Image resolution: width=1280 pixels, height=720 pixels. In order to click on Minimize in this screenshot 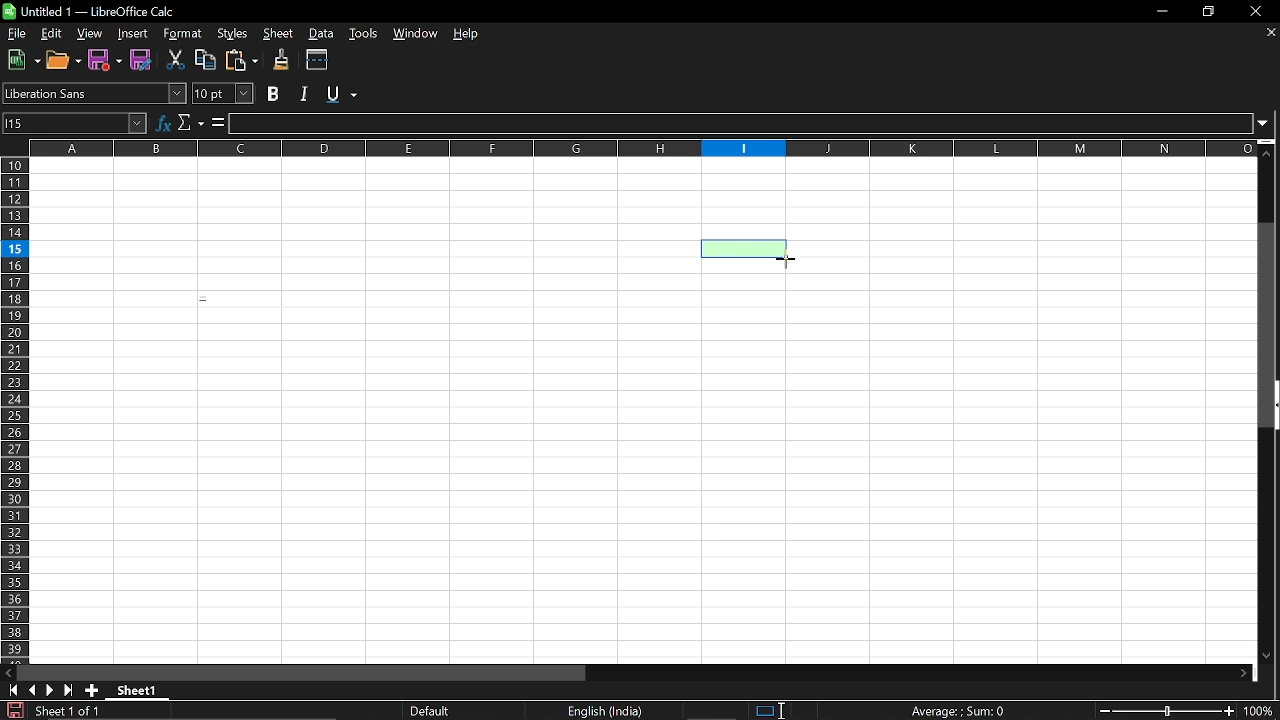, I will do `click(1162, 11)`.